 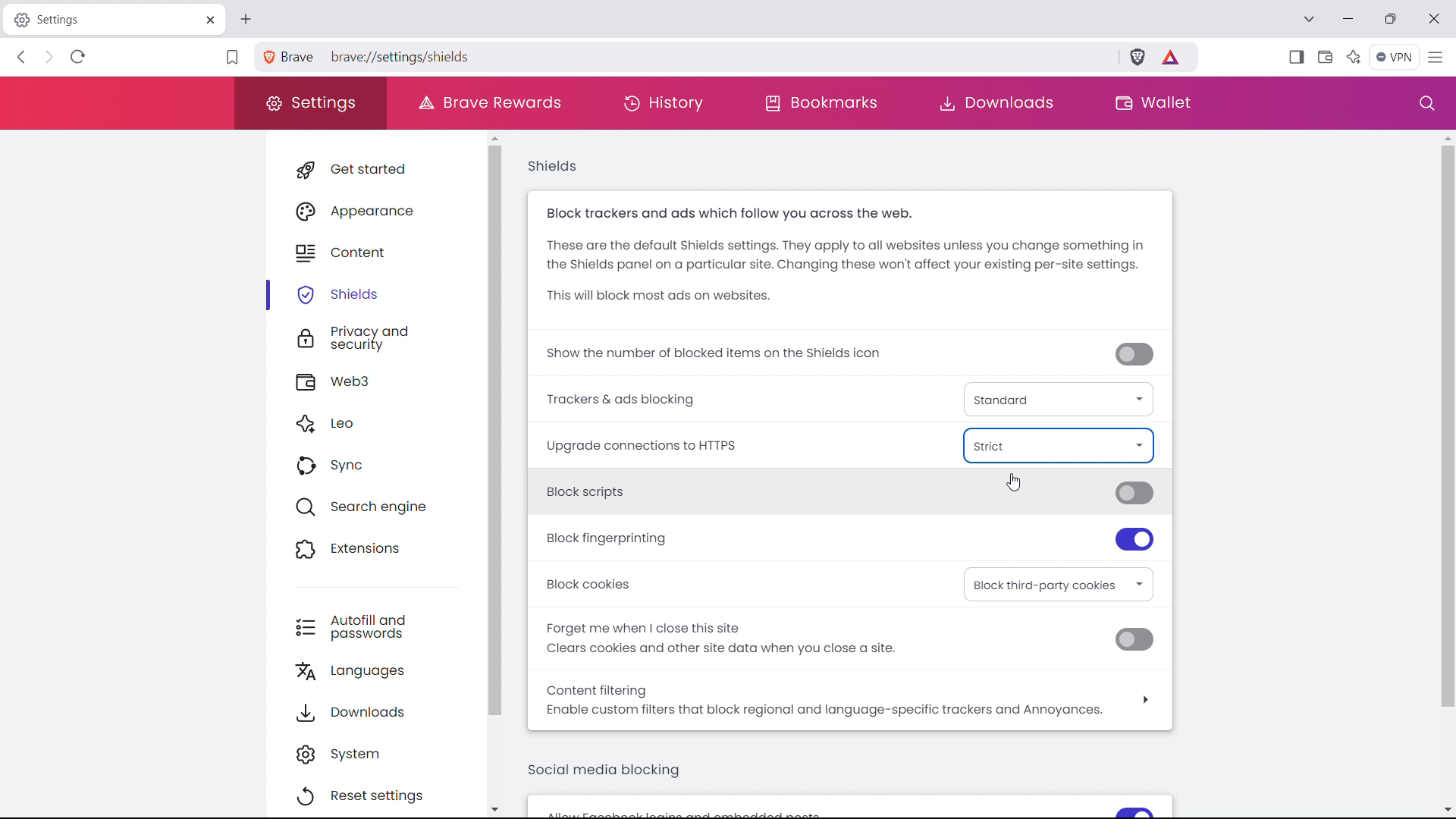 I want to click on allow feedback, so click(x=854, y=807).